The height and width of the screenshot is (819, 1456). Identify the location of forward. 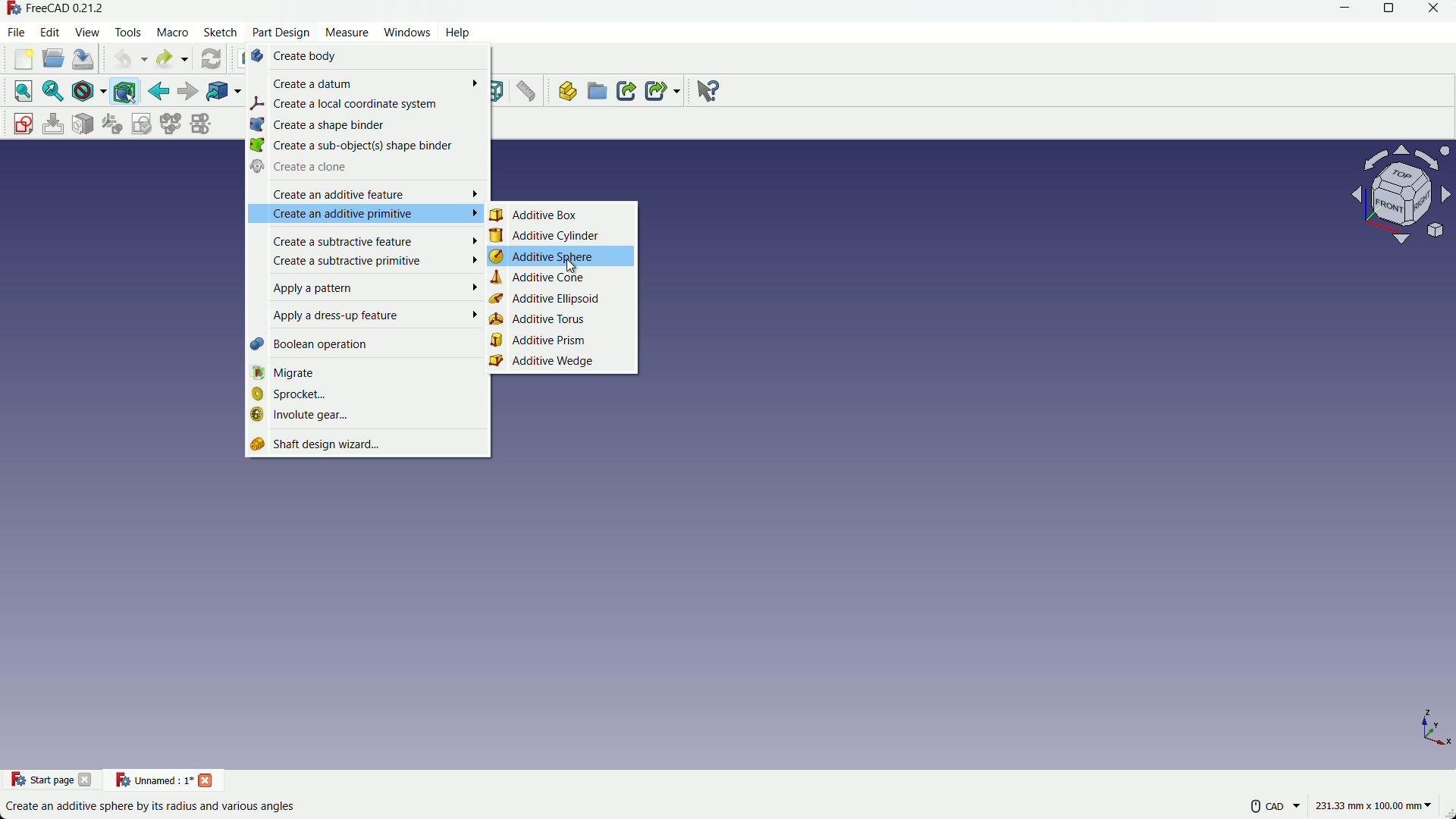
(189, 90).